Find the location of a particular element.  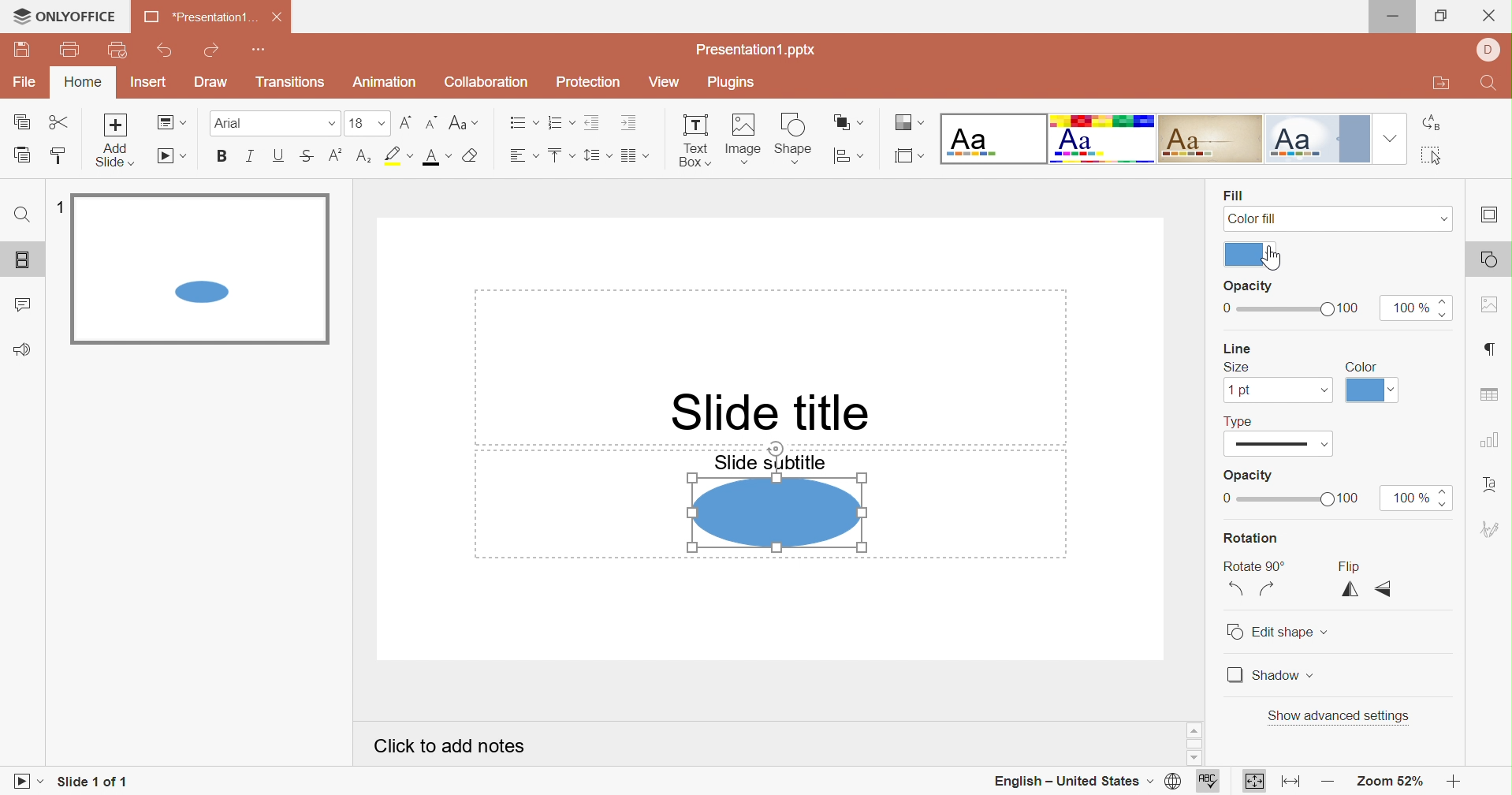

Slide title is located at coordinates (764, 412).